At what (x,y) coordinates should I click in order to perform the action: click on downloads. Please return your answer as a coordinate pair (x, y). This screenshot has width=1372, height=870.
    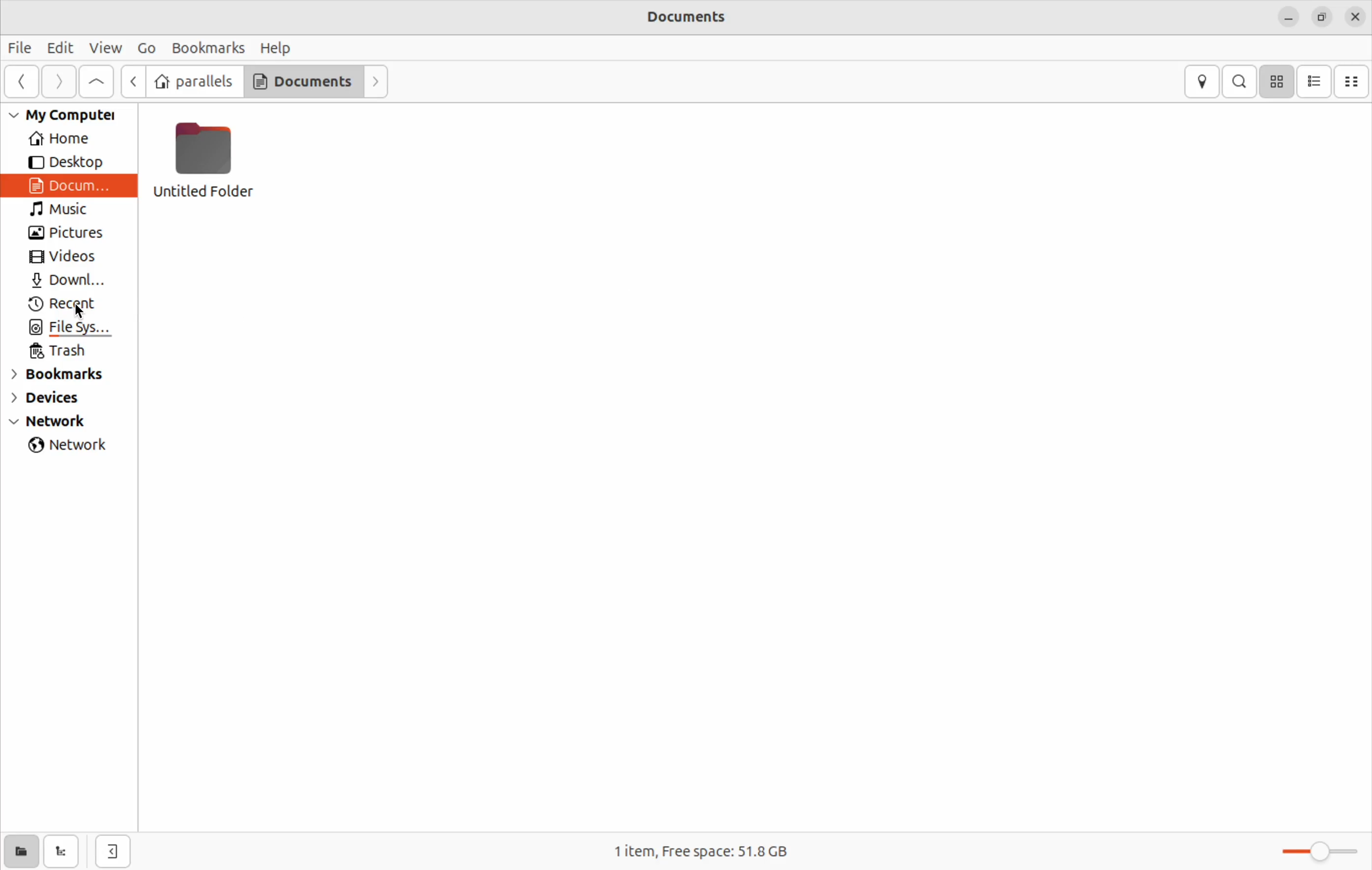
    Looking at the image, I should click on (70, 280).